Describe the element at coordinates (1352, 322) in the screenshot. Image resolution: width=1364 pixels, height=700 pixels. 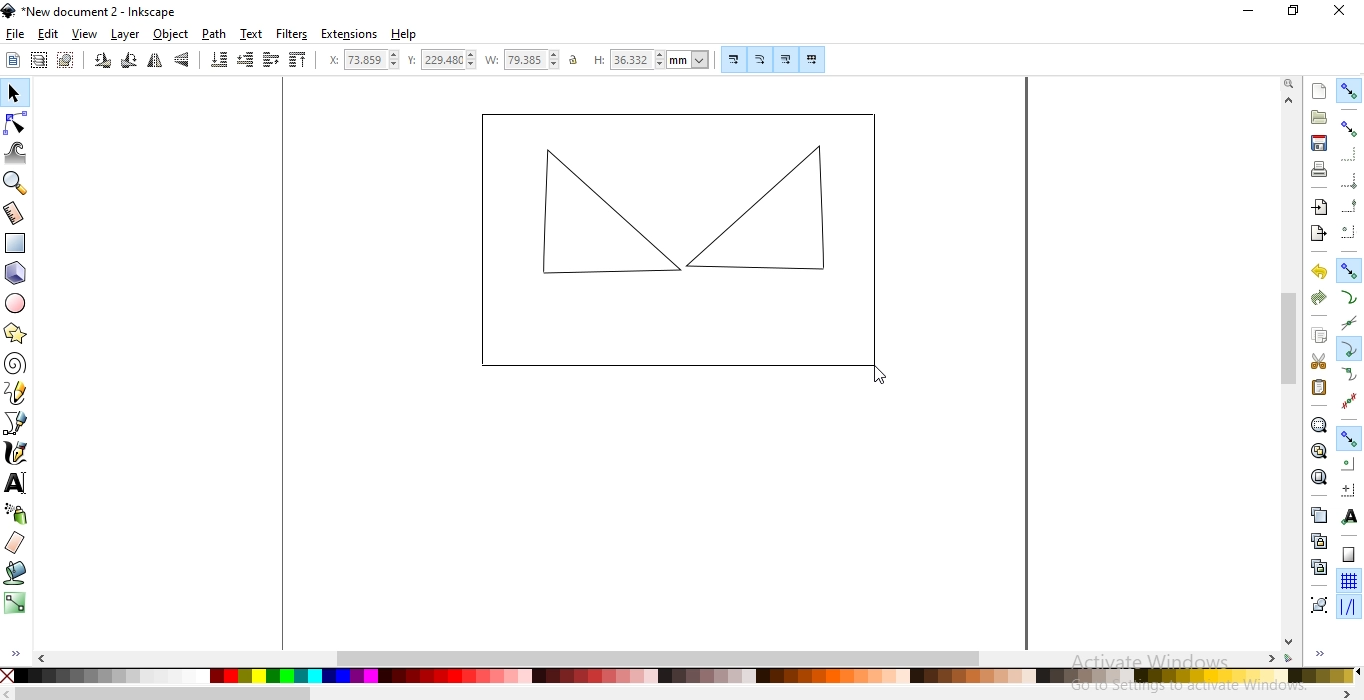
I see `snap to path intersections` at that location.